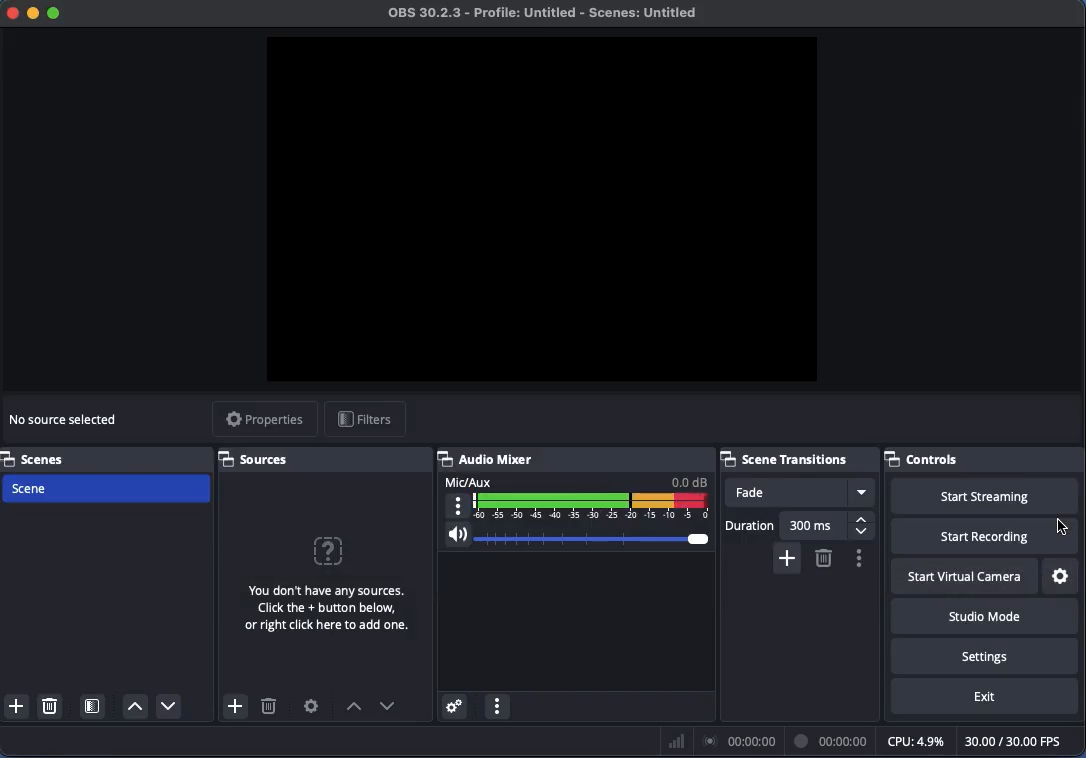 The height and width of the screenshot is (758, 1086). I want to click on Settings, so click(312, 706).